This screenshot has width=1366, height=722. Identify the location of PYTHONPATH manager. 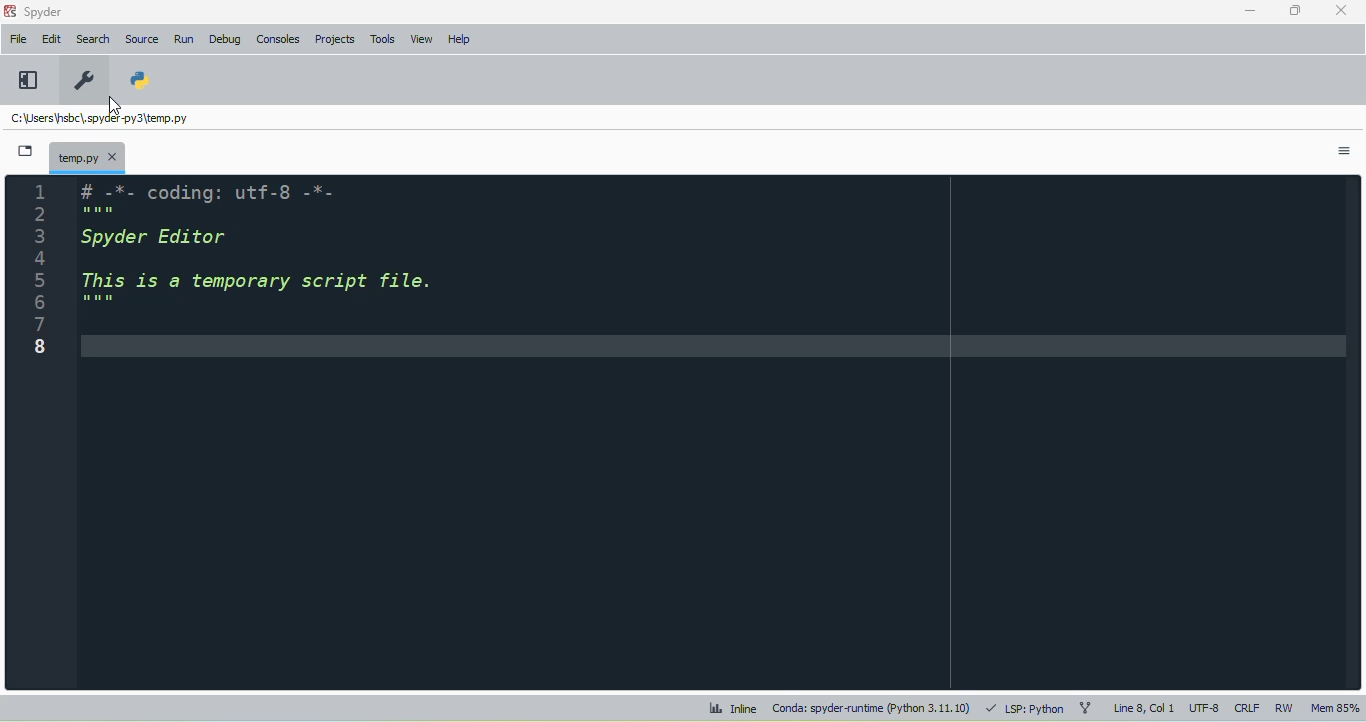
(141, 79).